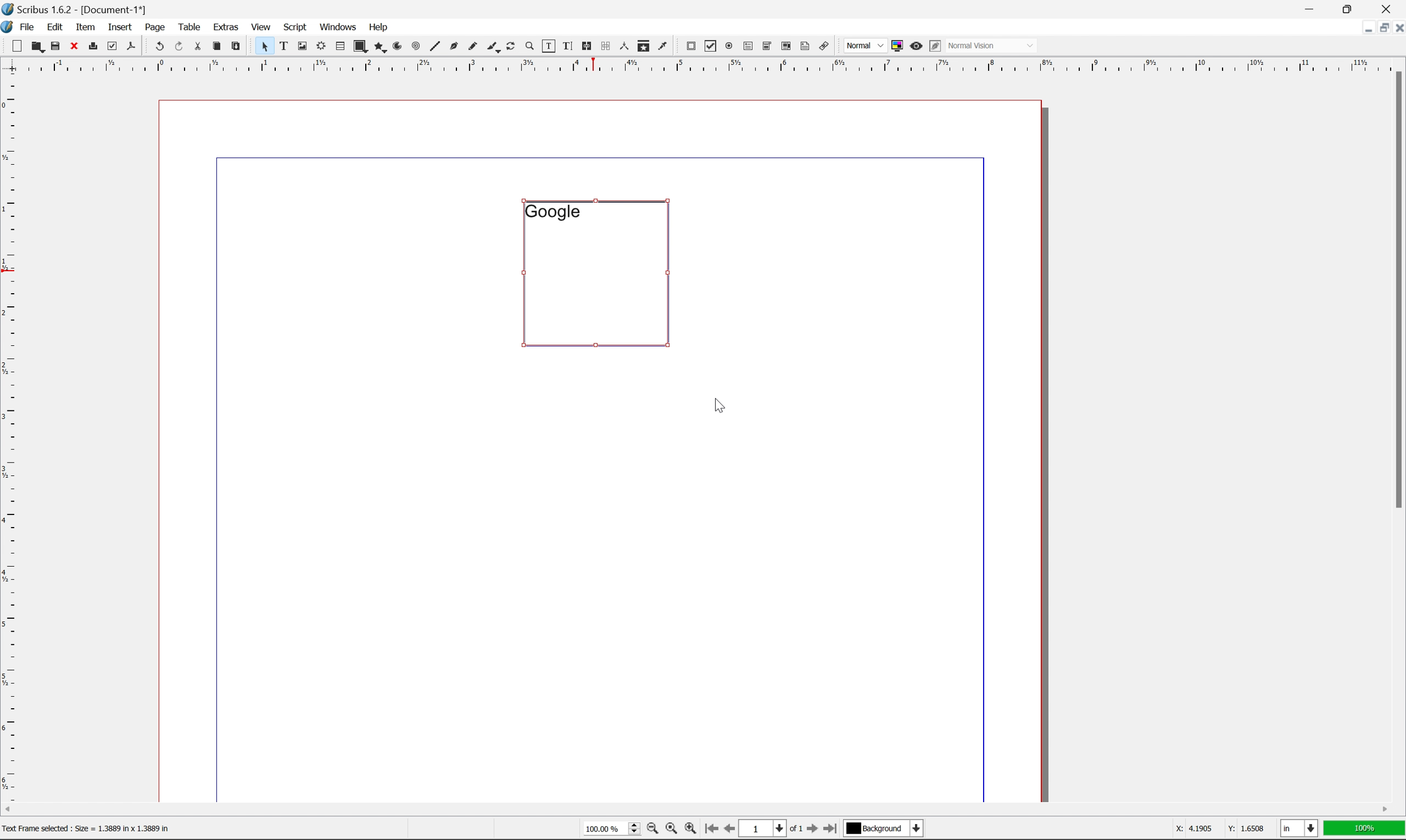 Image resolution: width=1406 pixels, height=840 pixels. Describe the element at coordinates (320, 45) in the screenshot. I see `render frame` at that location.